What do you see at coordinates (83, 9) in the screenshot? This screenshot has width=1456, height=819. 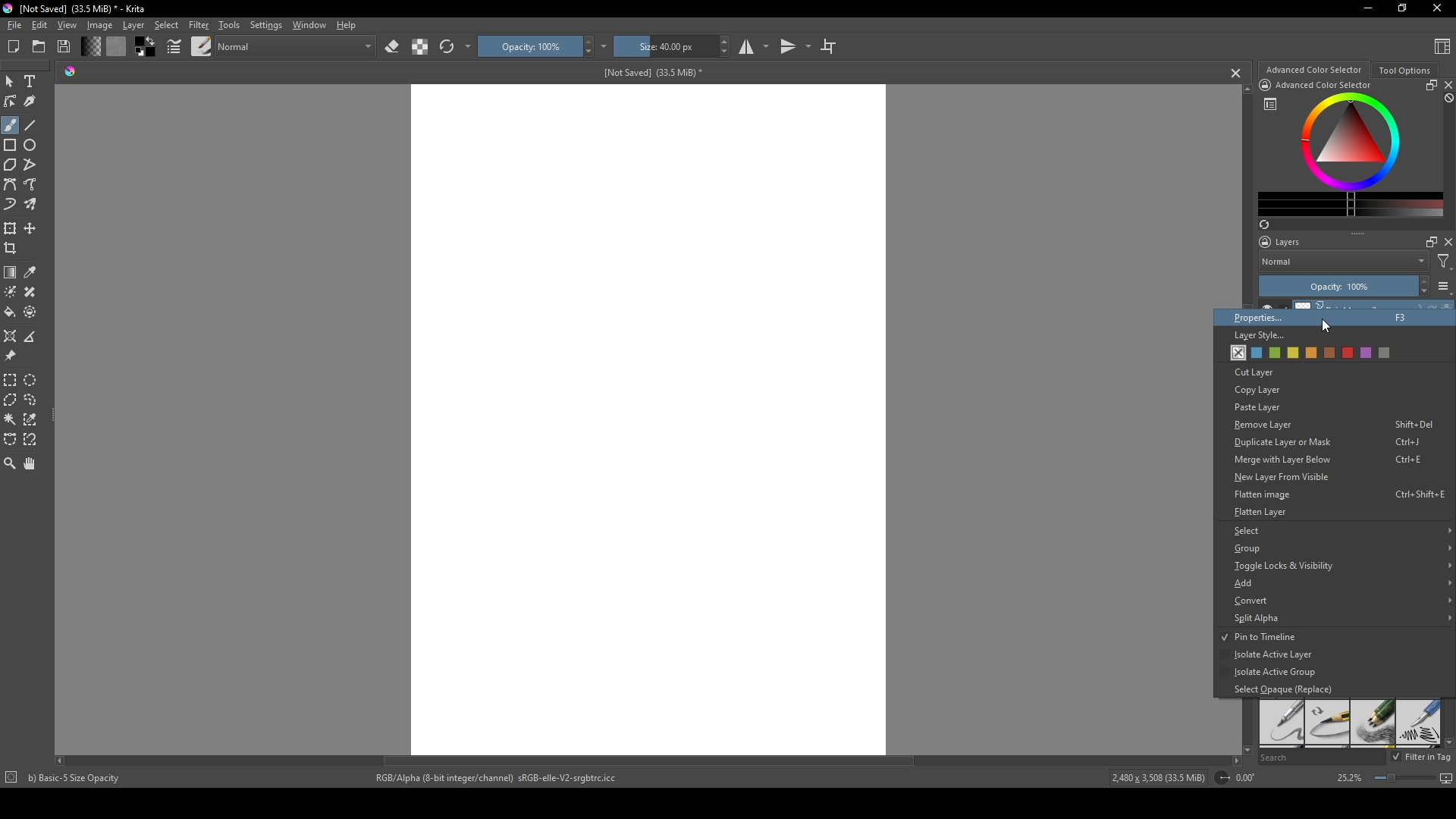 I see `[Not Saved] (33.5 MiB) - Krita` at bounding box center [83, 9].